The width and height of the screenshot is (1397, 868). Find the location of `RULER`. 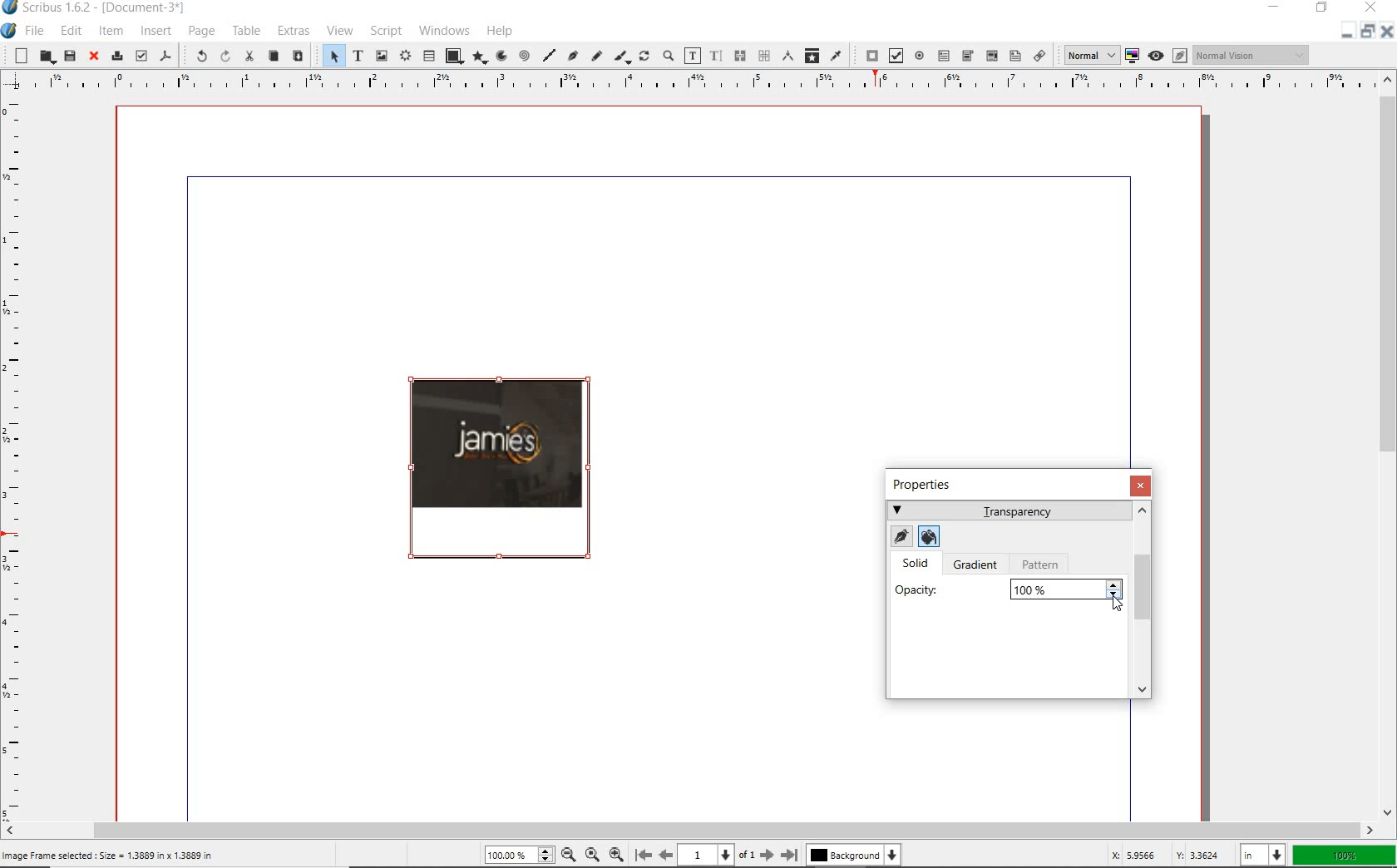

RULER is located at coordinates (684, 81).